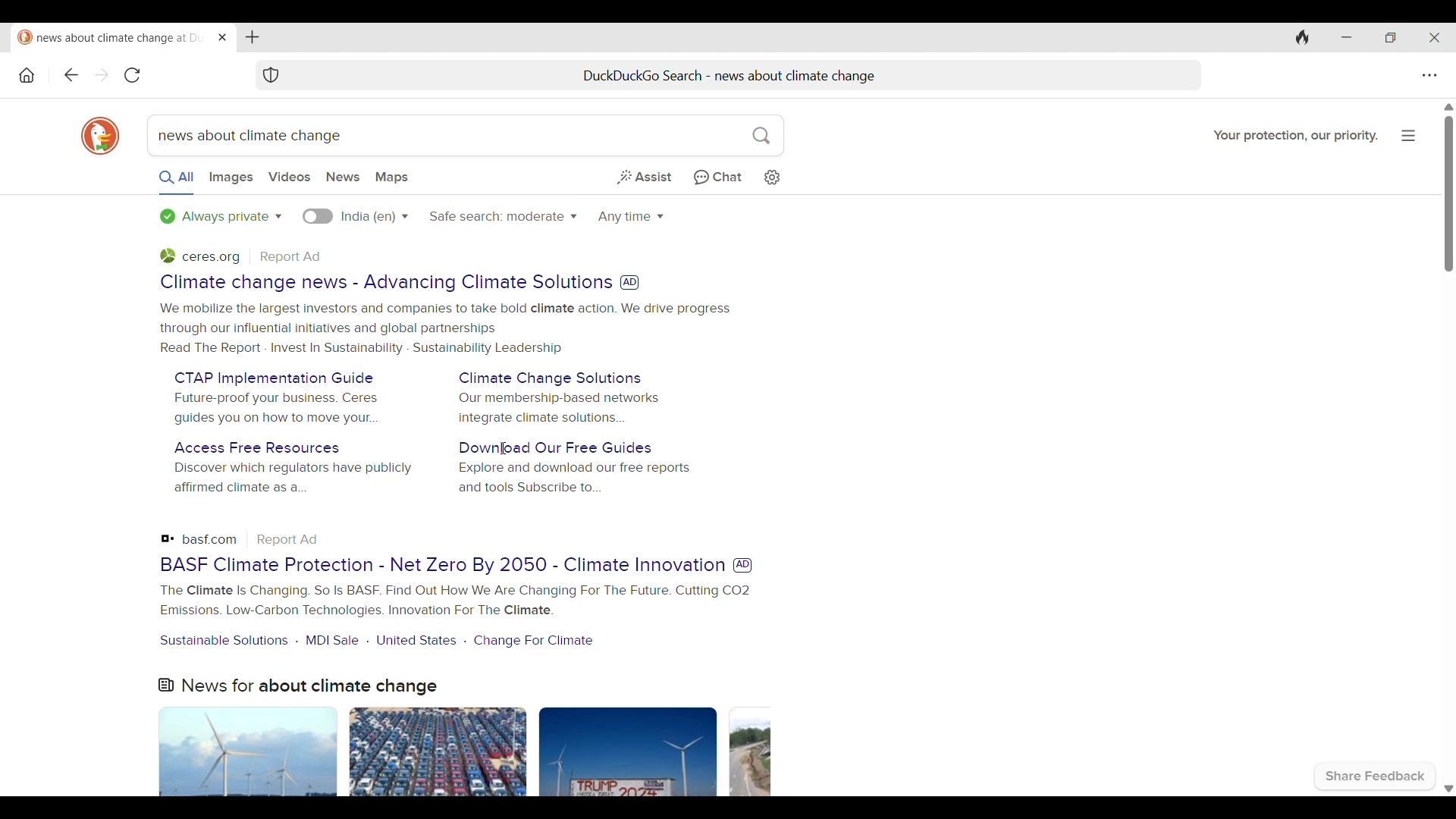 This screenshot has width=1456, height=819. I want to click on ceres.org, so click(200, 256).